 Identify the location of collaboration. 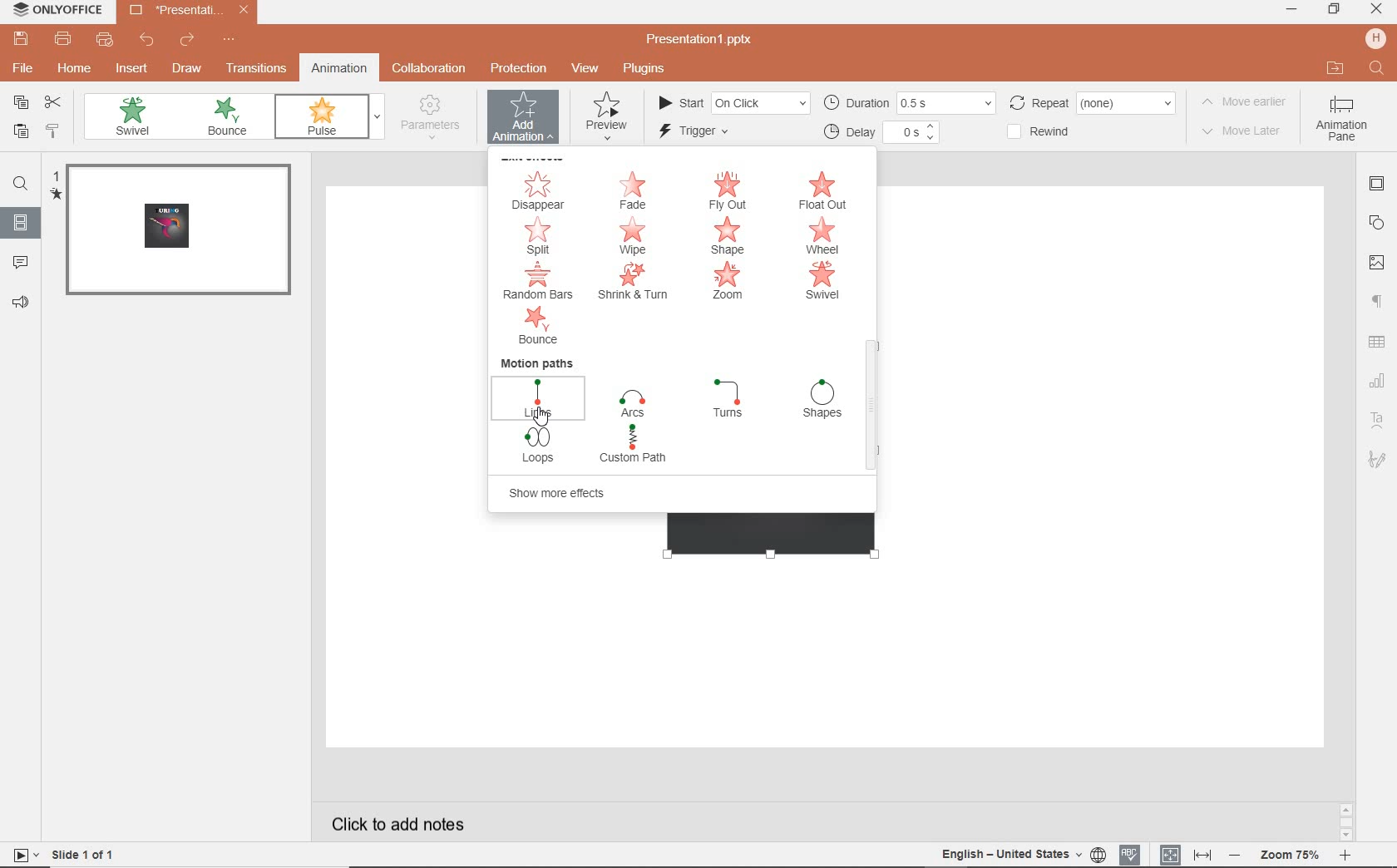
(430, 70).